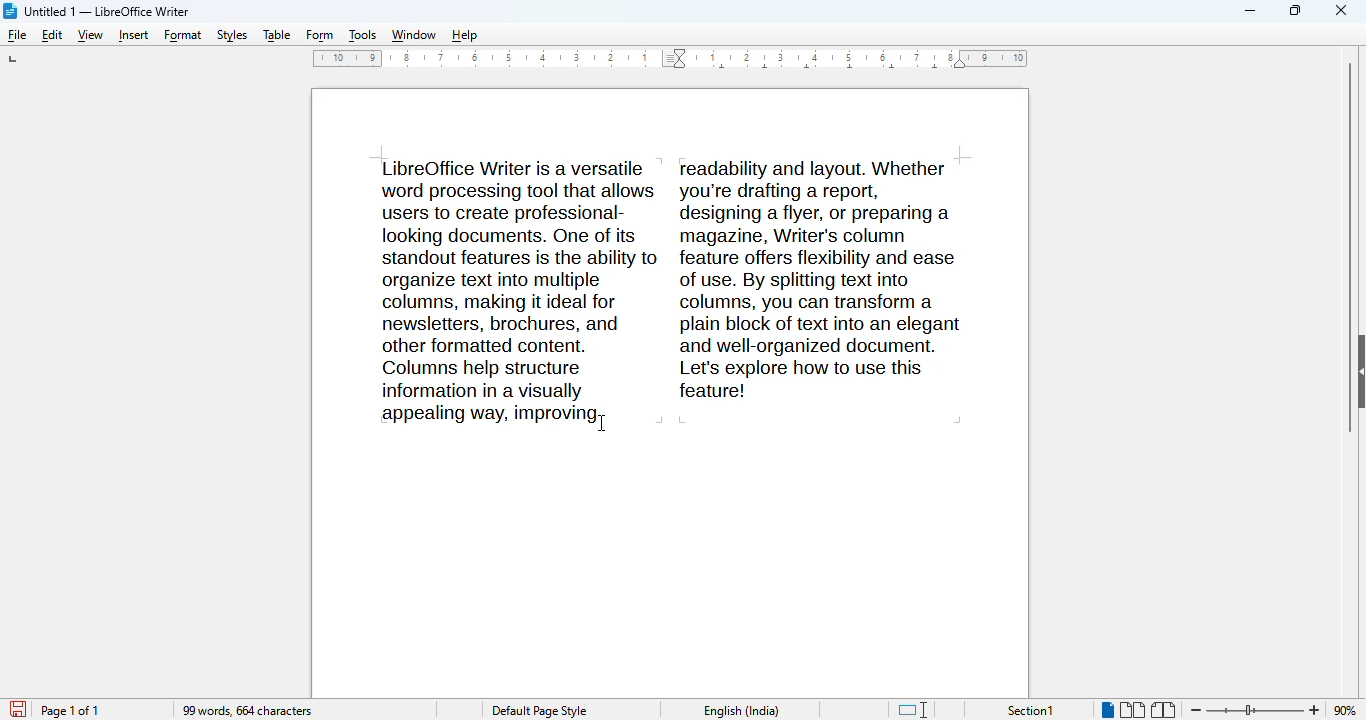  I want to click on view, so click(90, 36).